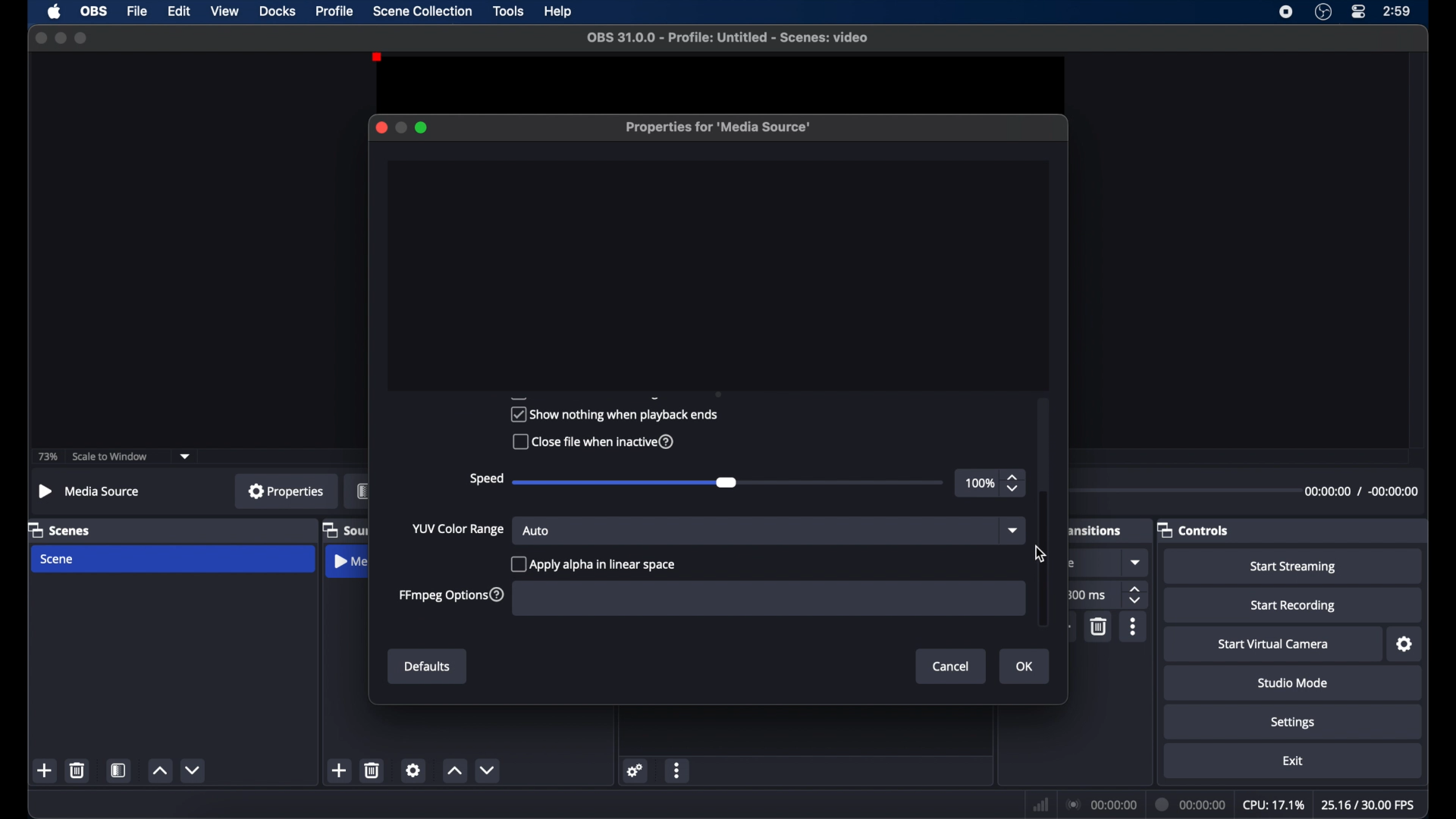  I want to click on increment, so click(454, 771).